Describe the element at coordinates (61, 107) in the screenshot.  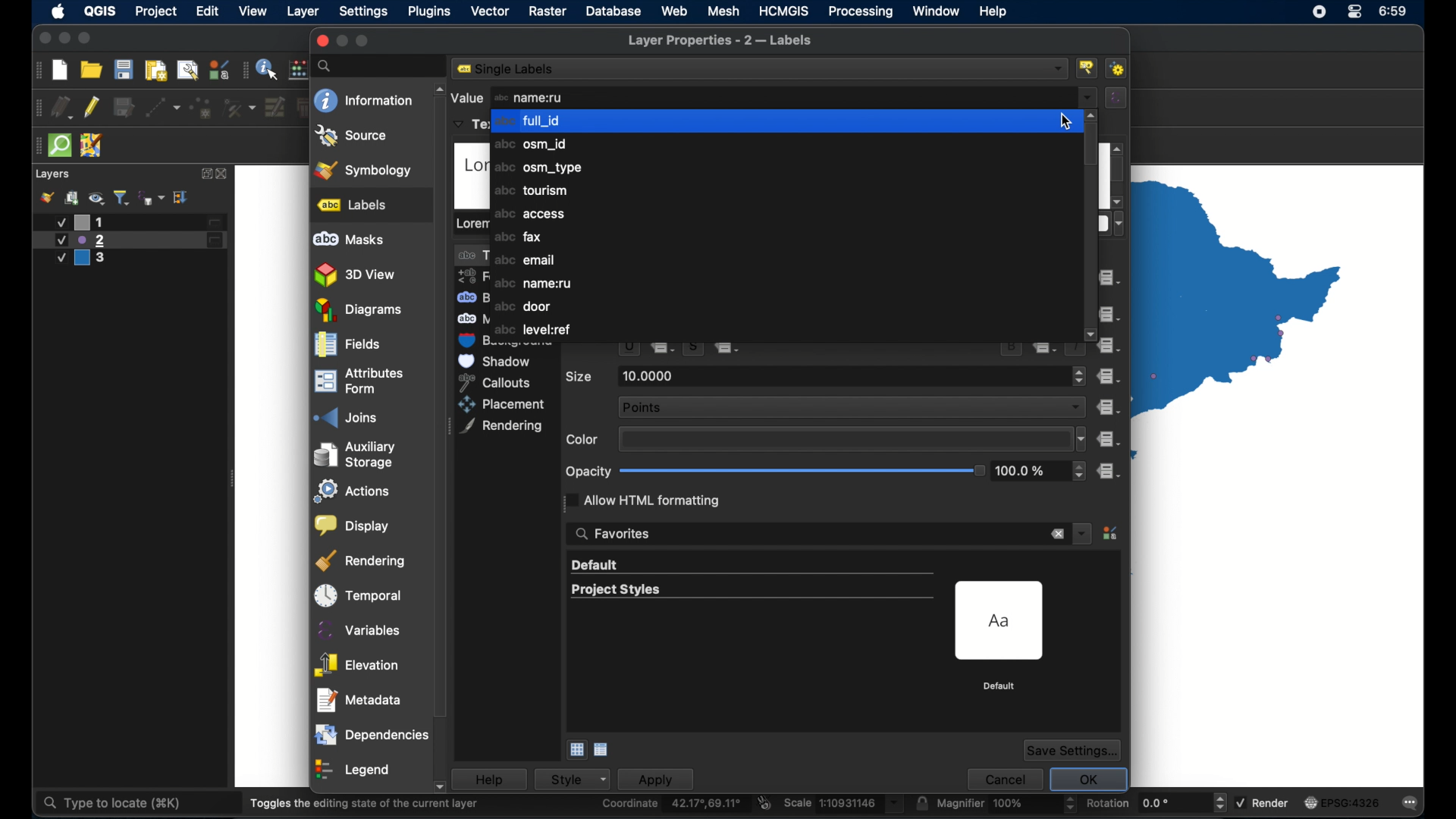
I see `current edits` at that location.